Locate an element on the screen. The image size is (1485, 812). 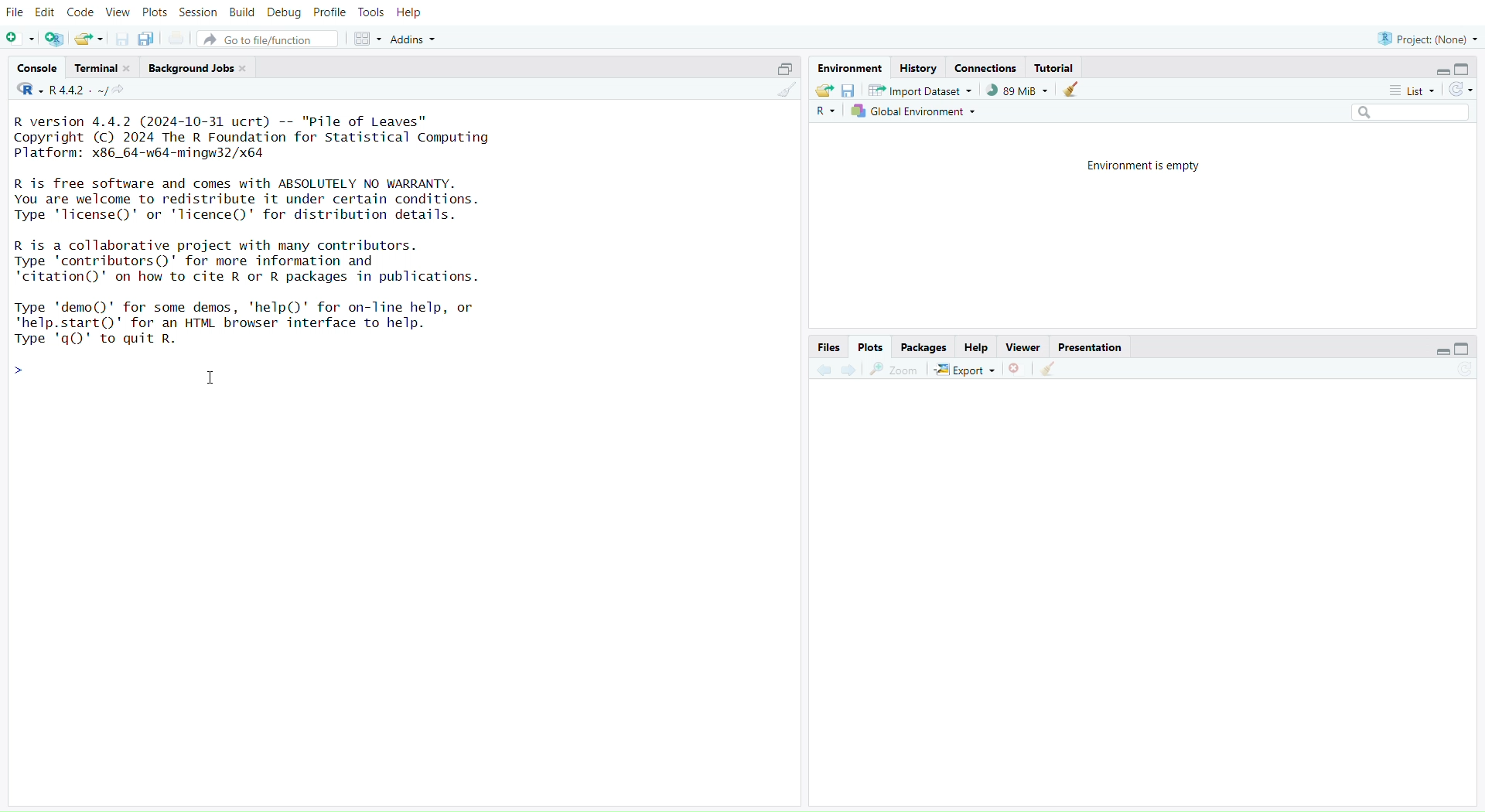
Go forward to the next source location (Ctrl + F10) is located at coordinates (849, 367).